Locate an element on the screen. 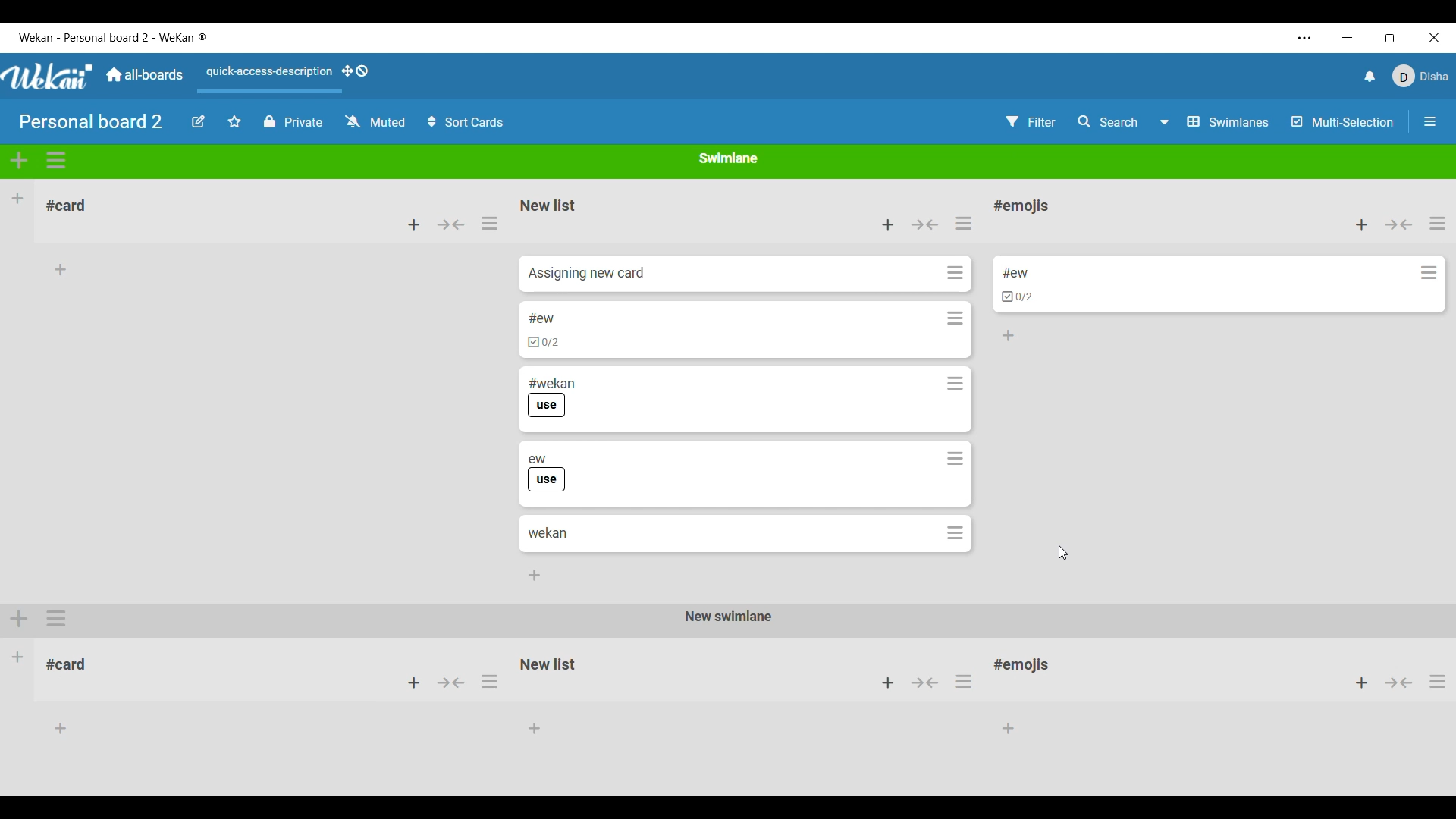 This screenshot has width=1456, height=819. Add swimlane is located at coordinates (19, 161).